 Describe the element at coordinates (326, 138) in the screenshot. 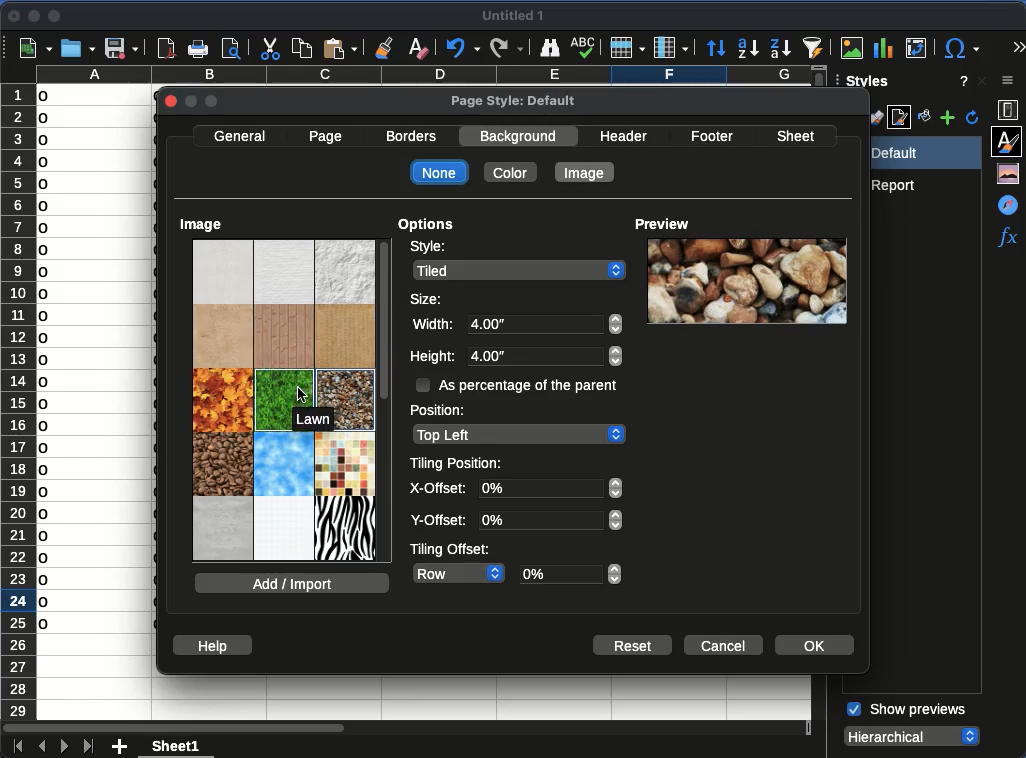

I see `page` at that location.